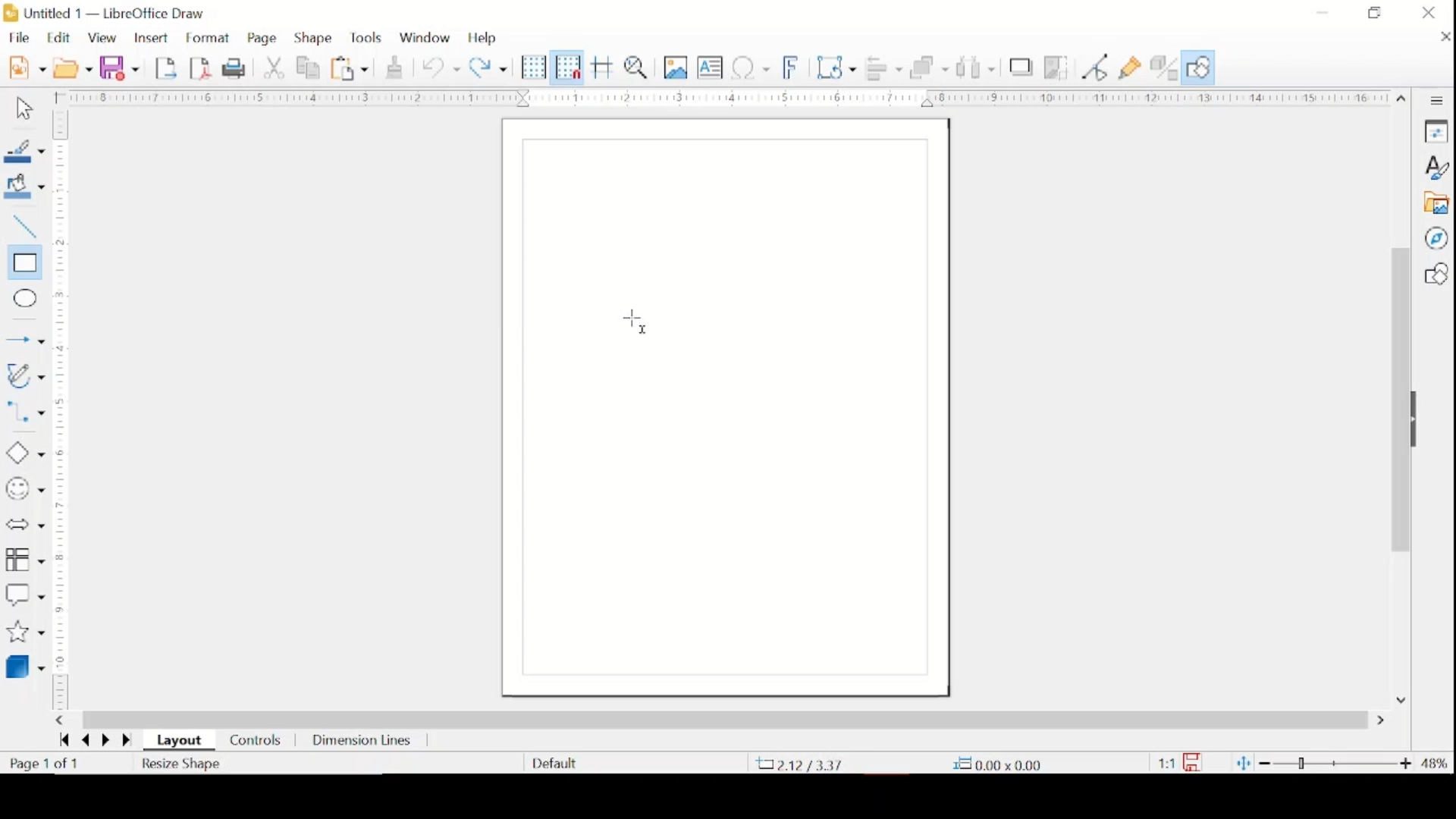 Image resolution: width=1456 pixels, height=819 pixels. What do you see at coordinates (1436, 238) in the screenshot?
I see `navigator` at bounding box center [1436, 238].